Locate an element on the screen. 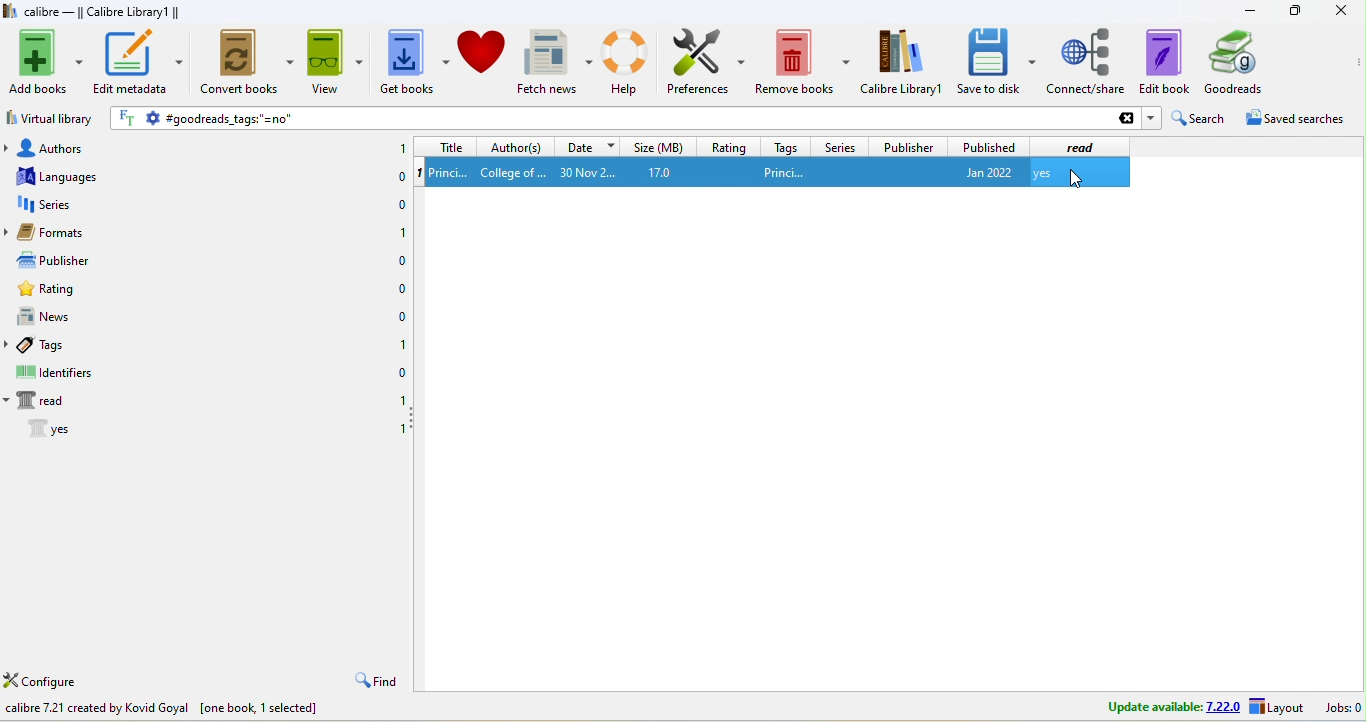 This screenshot has width=1366, height=722. layout is located at coordinates (1279, 708).